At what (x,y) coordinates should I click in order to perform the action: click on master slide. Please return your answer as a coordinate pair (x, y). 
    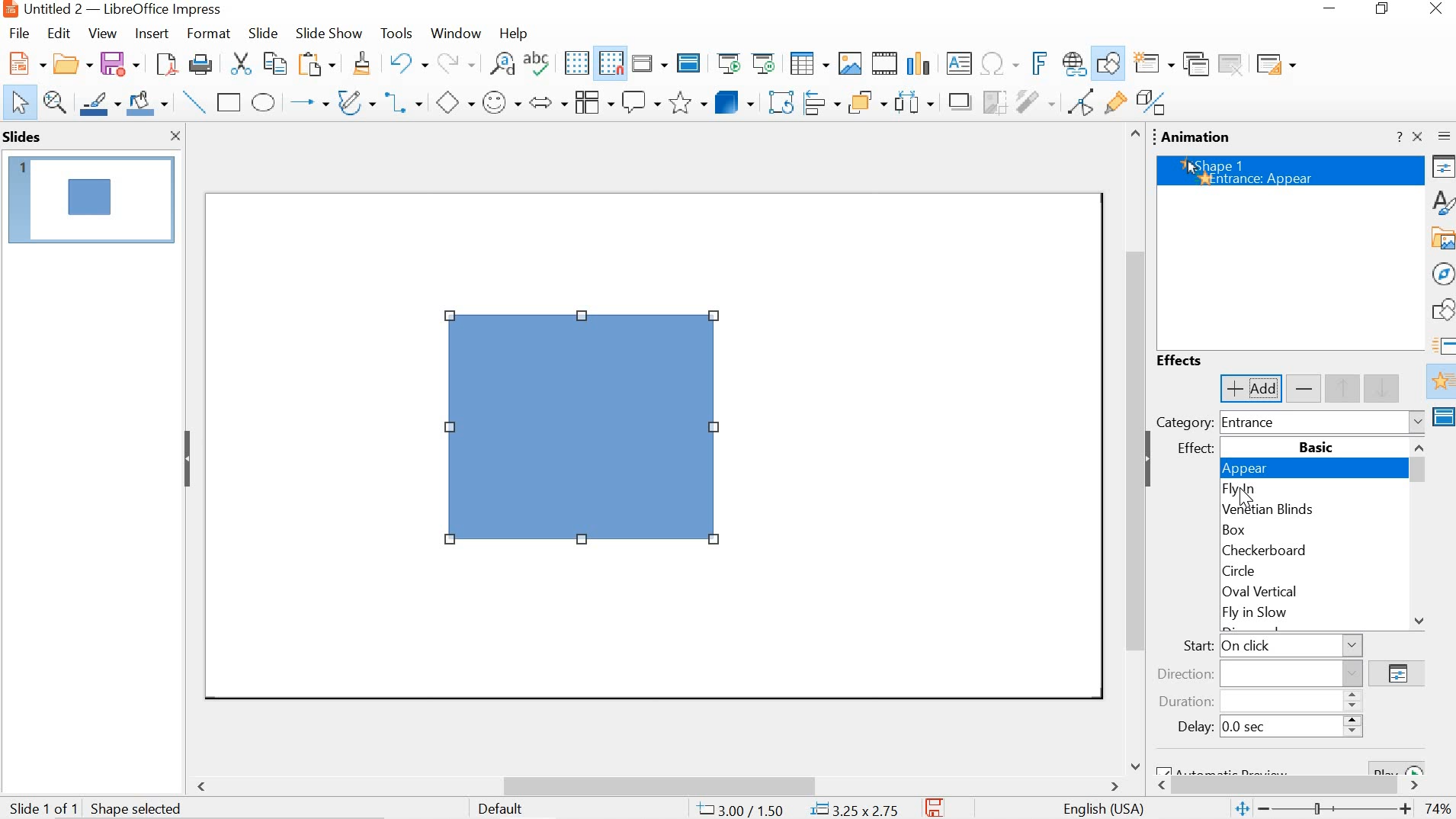
    Looking at the image, I should click on (1442, 419).